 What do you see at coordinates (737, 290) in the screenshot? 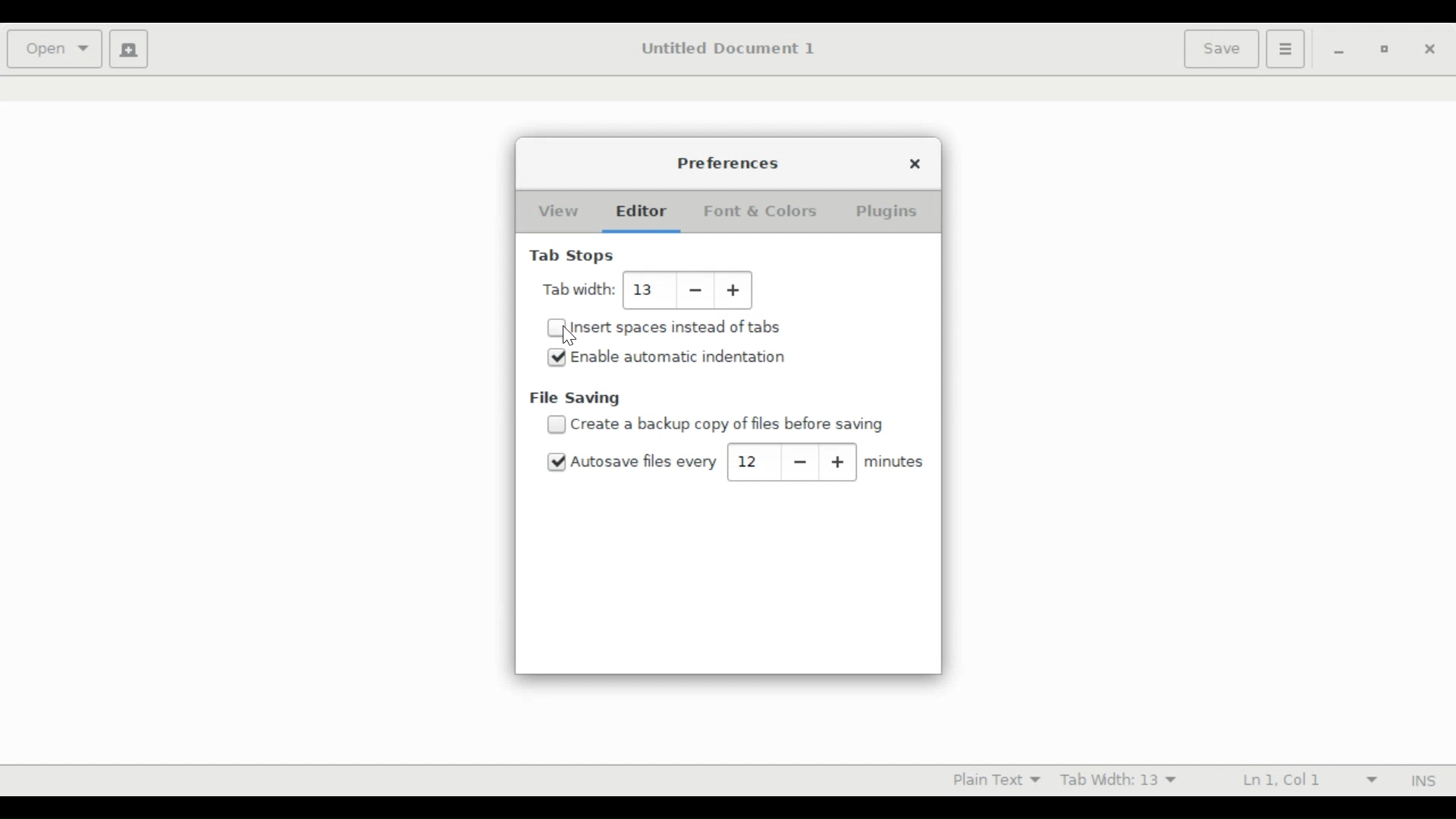
I see `Increase` at bounding box center [737, 290].